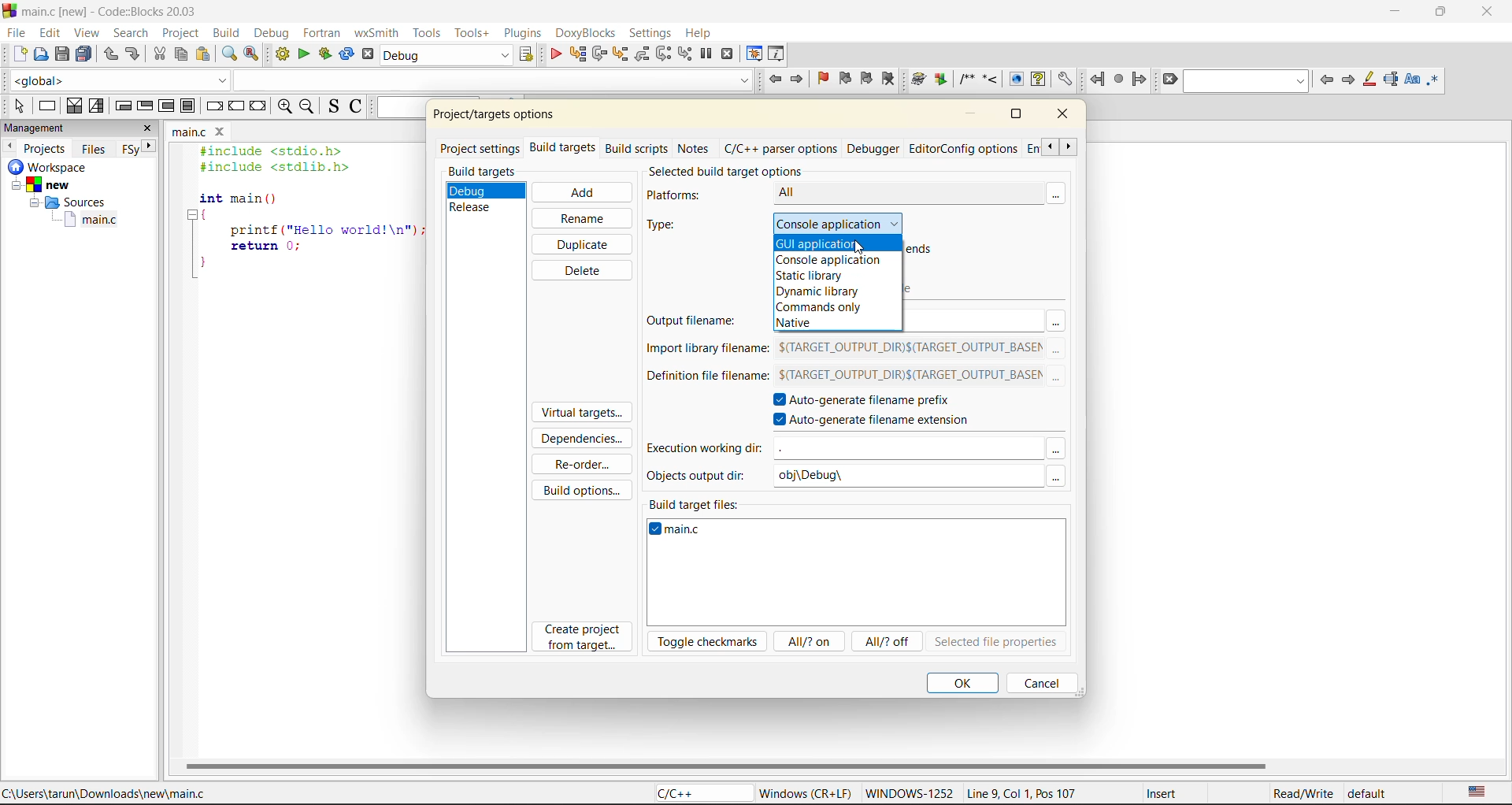 This screenshot has height=805, width=1512. I want to click on step into instruction, so click(686, 54).